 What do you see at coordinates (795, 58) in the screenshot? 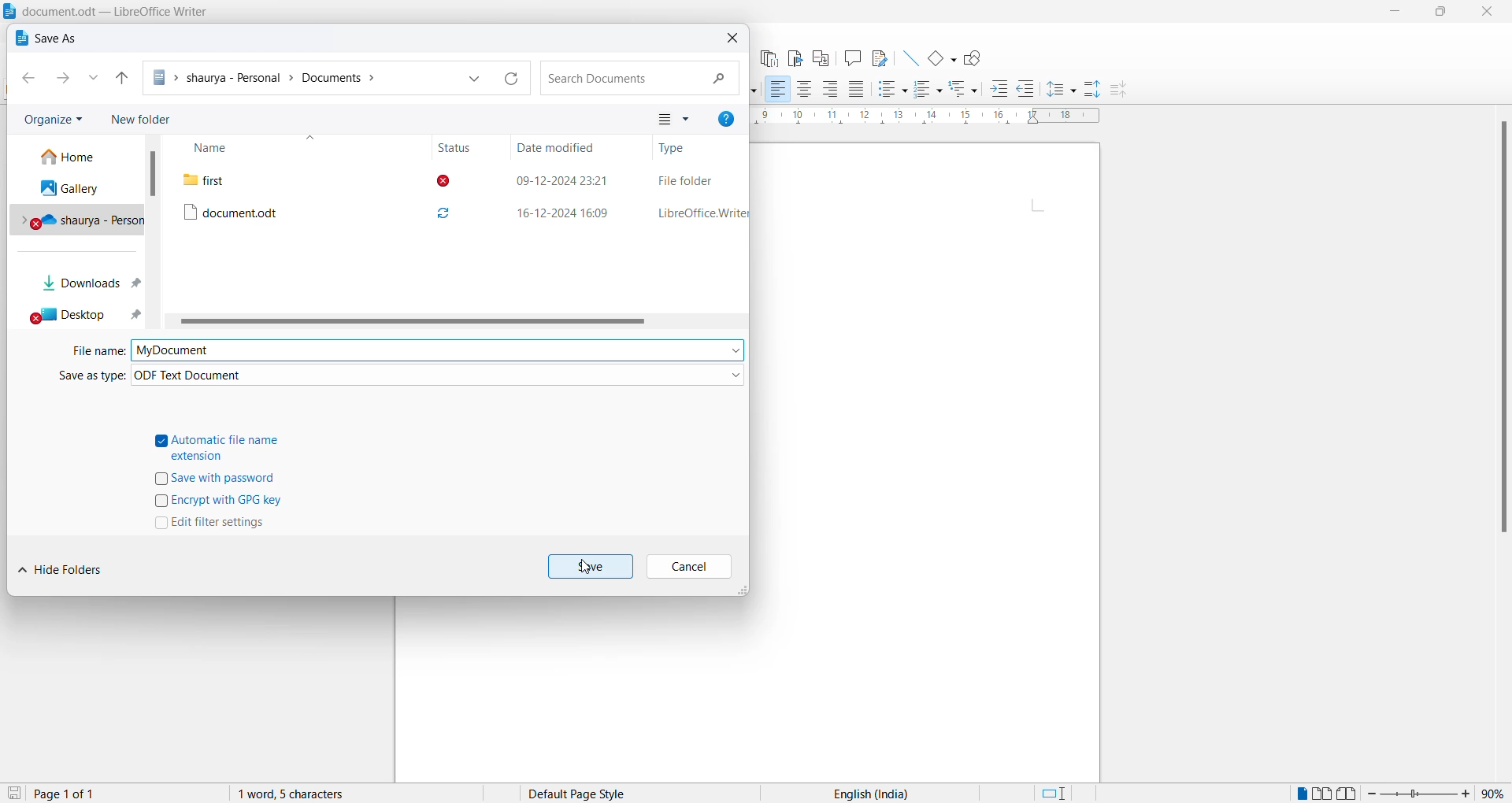
I see `Insert bookmark` at bounding box center [795, 58].